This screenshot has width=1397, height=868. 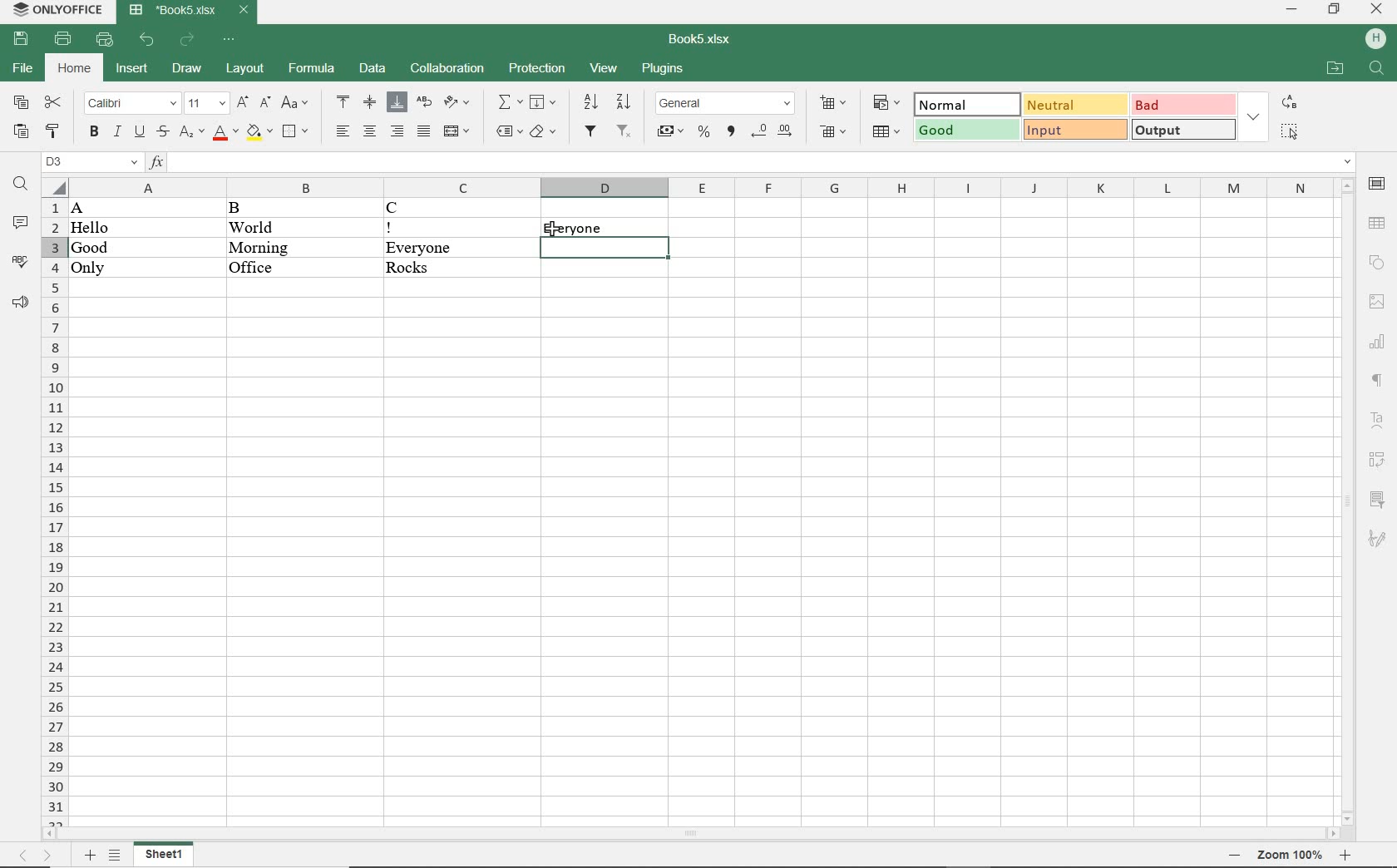 I want to click on zoom 100%, so click(x=1291, y=855).